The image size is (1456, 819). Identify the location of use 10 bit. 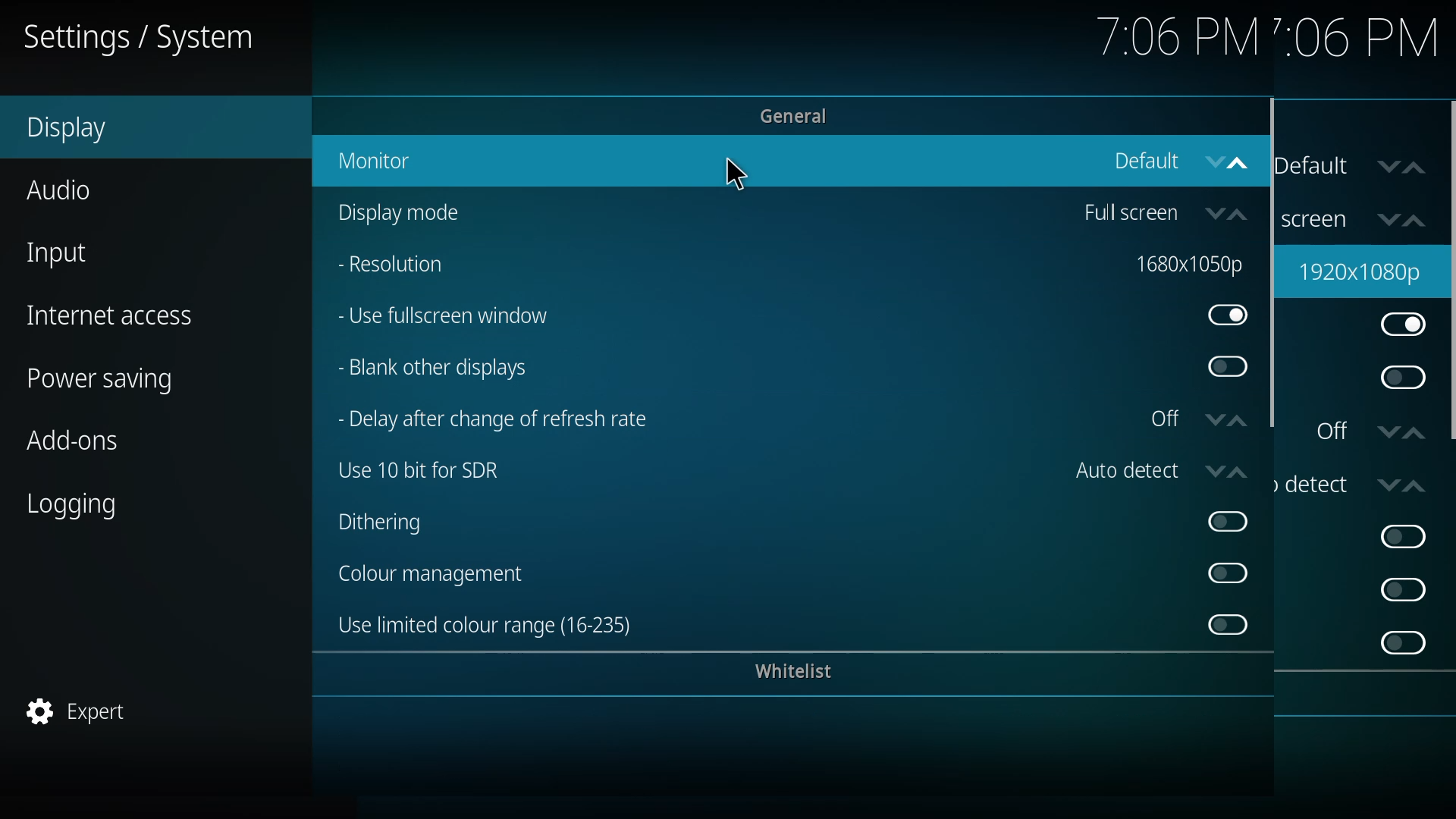
(423, 466).